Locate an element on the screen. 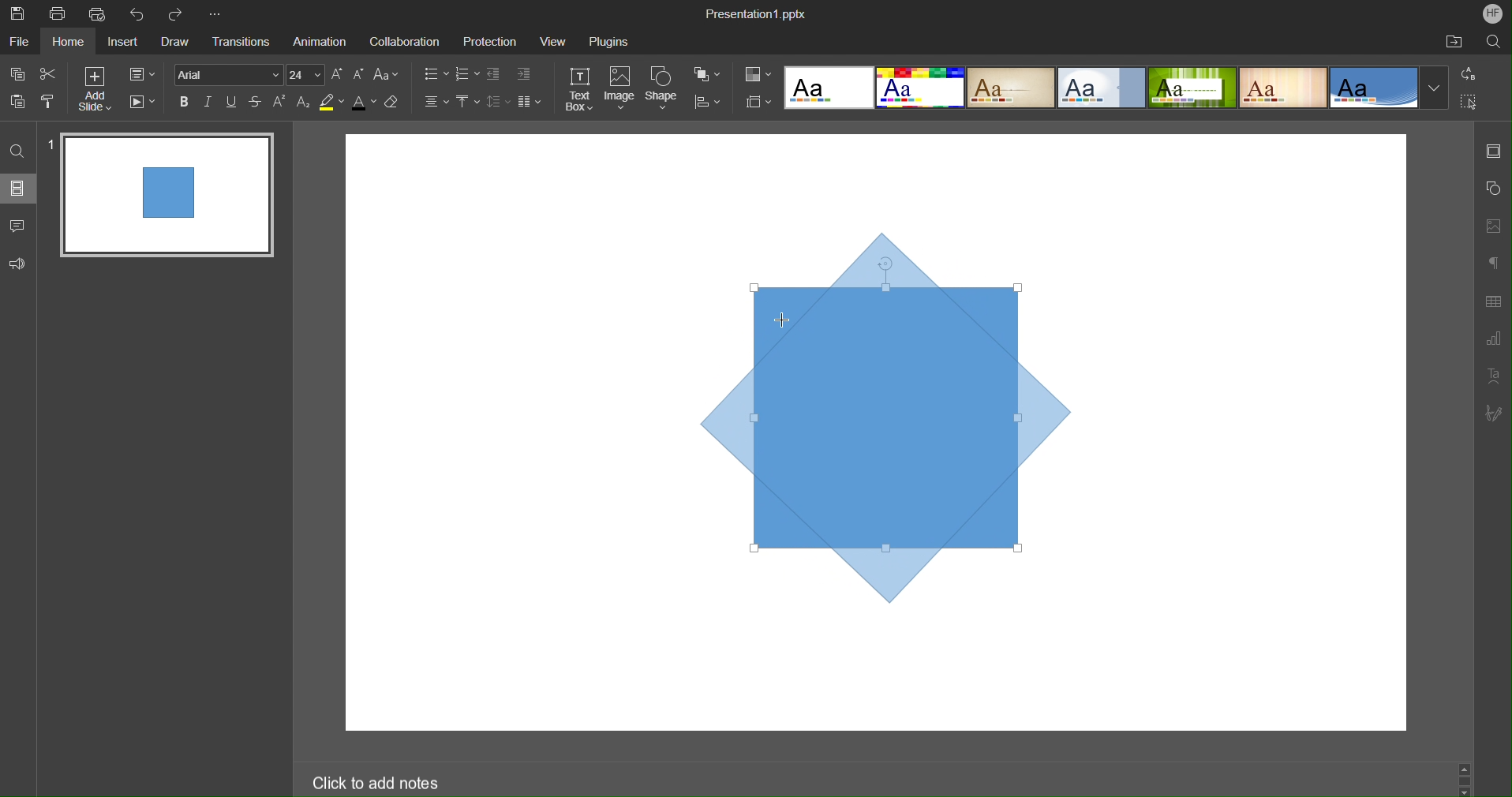 The image size is (1512, 797). Columns is located at coordinates (530, 103).